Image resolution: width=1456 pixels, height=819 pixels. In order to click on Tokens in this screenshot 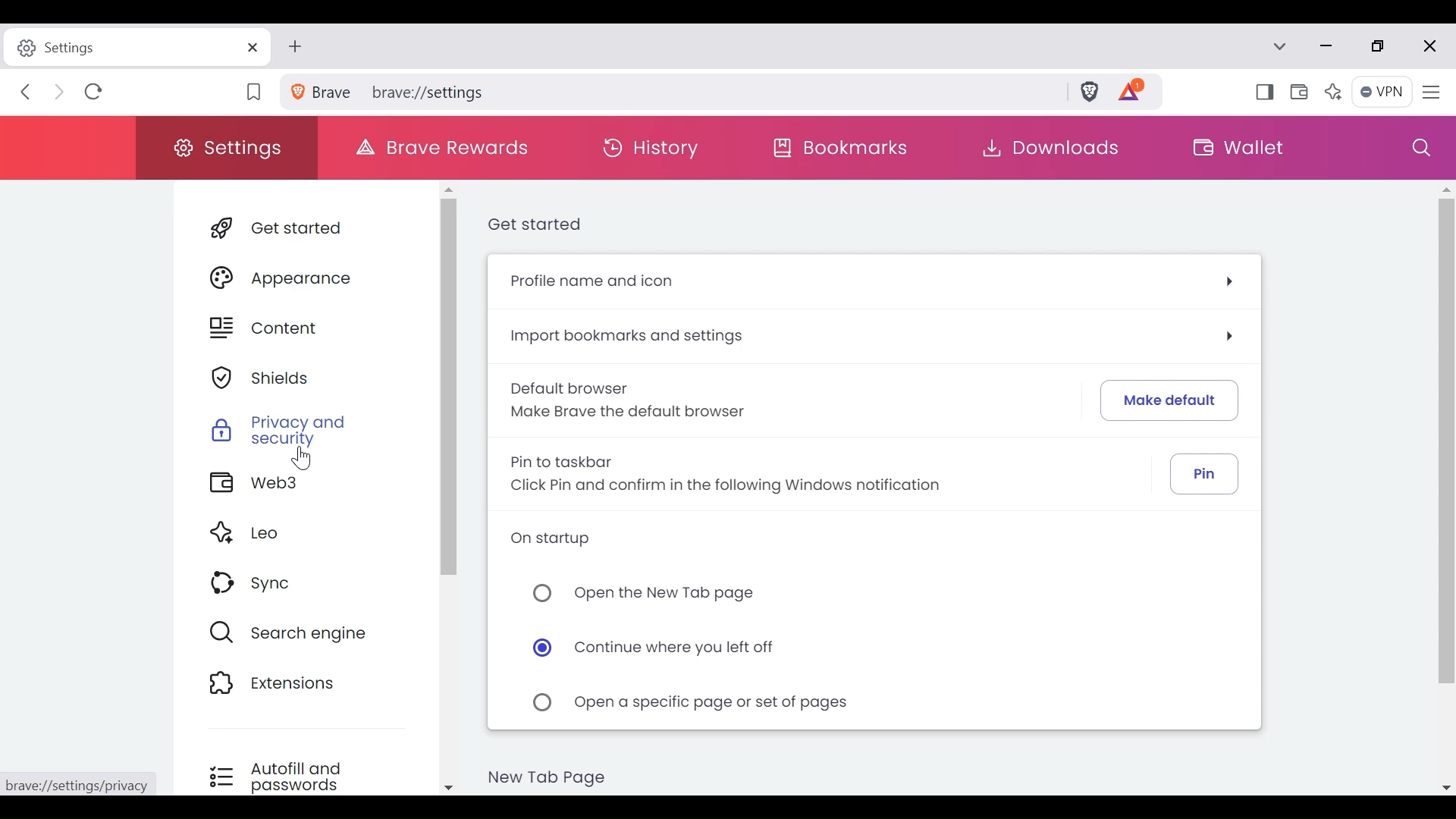, I will do `click(1140, 93)`.